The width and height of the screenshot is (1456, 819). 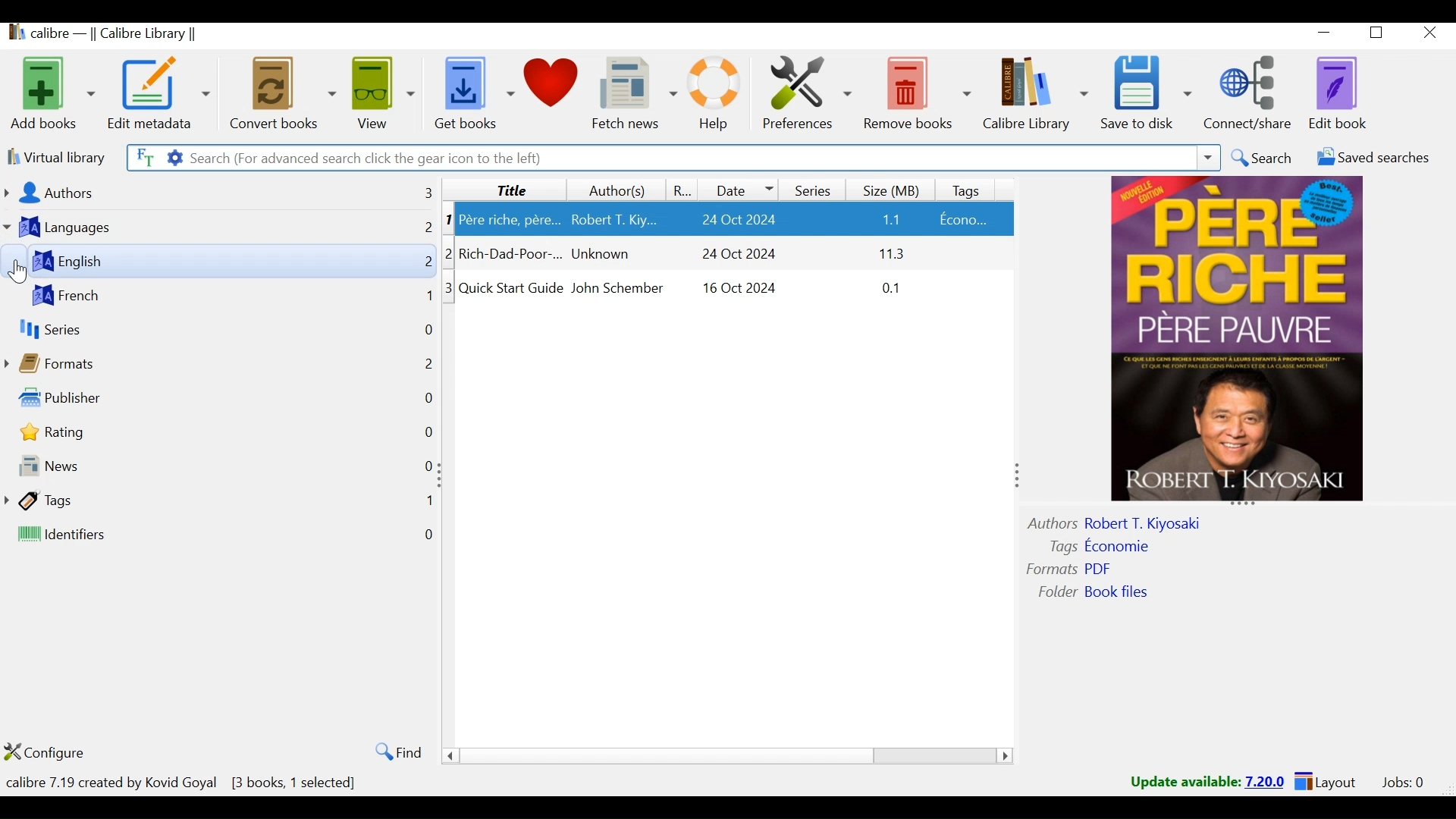 What do you see at coordinates (1400, 783) in the screenshot?
I see `Jobs: 0` at bounding box center [1400, 783].